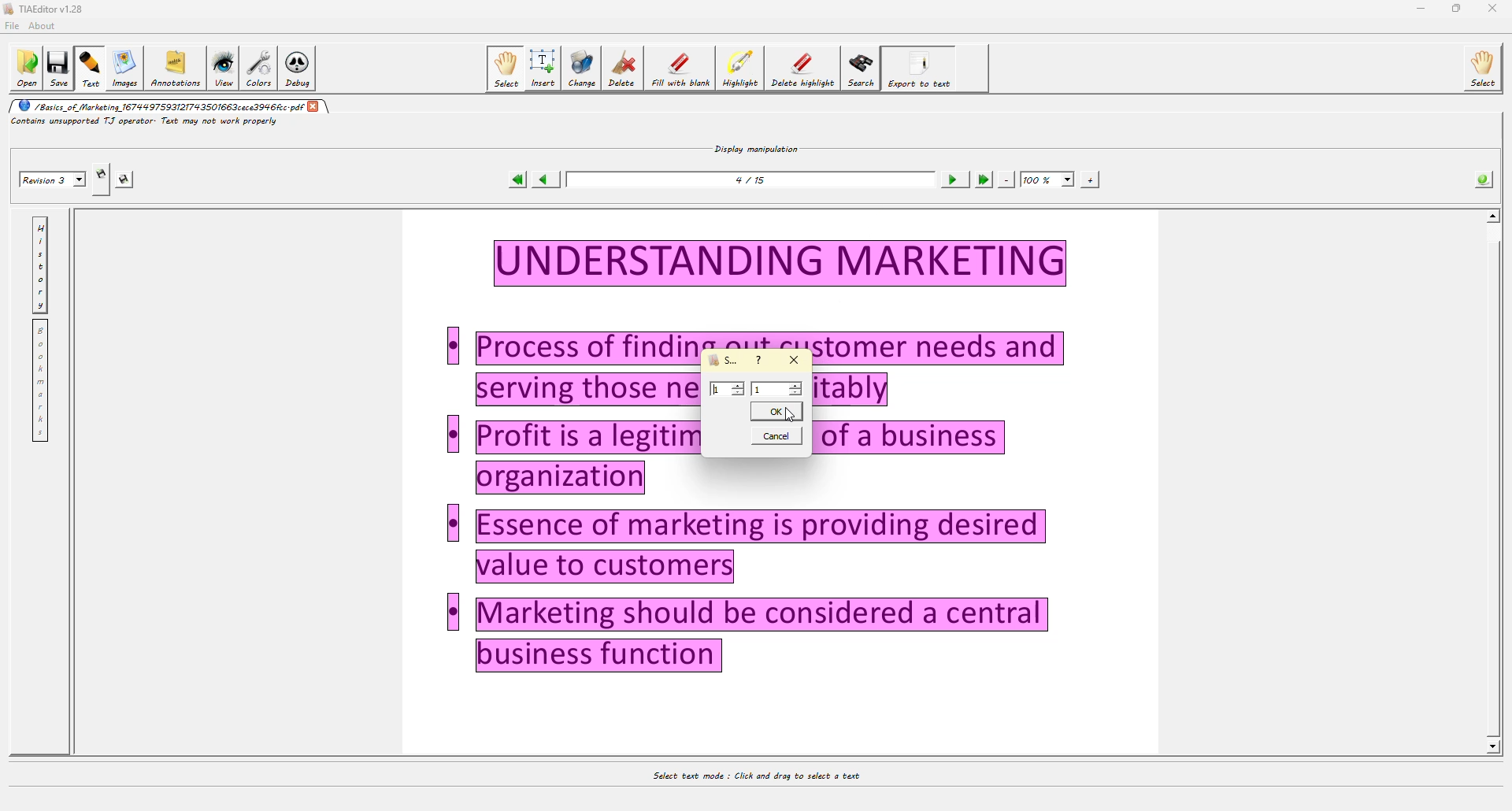  Describe the element at coordinates (981, 180) in the screenshot. I see `last page` at that location.